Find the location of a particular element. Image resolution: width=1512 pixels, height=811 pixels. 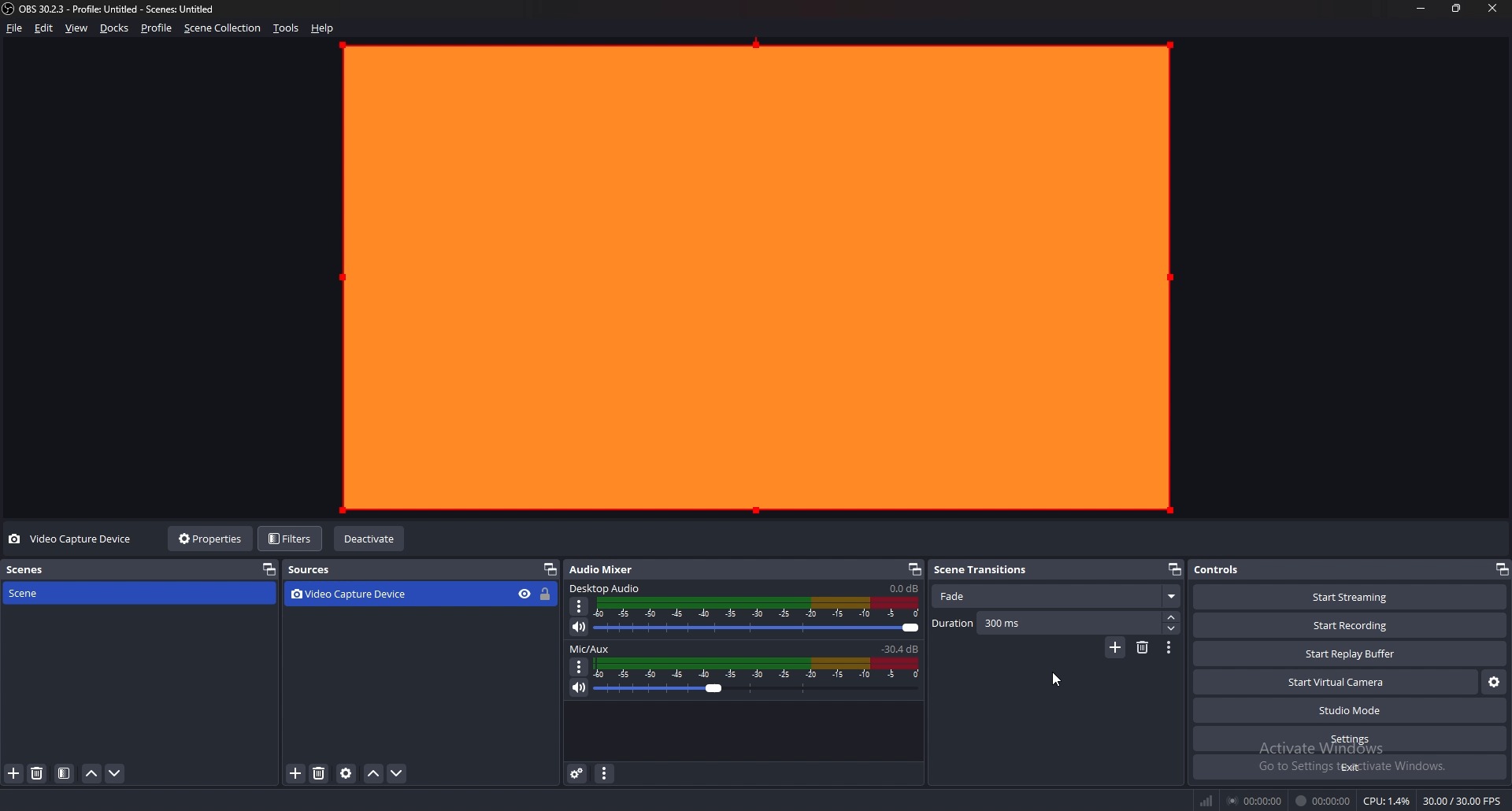

network is located at coordinates (1209, 800).